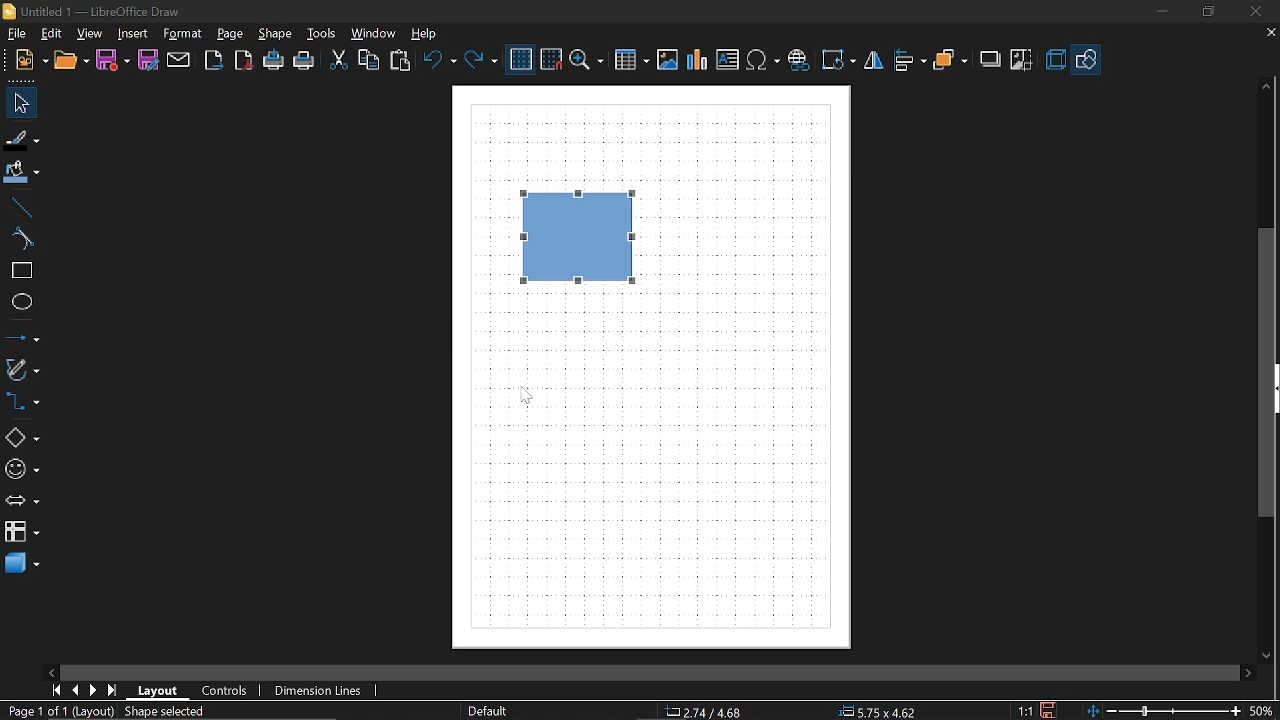  Describe the element at coordinates (838, 60) in the screenshot. I see `Rotate` at that location.